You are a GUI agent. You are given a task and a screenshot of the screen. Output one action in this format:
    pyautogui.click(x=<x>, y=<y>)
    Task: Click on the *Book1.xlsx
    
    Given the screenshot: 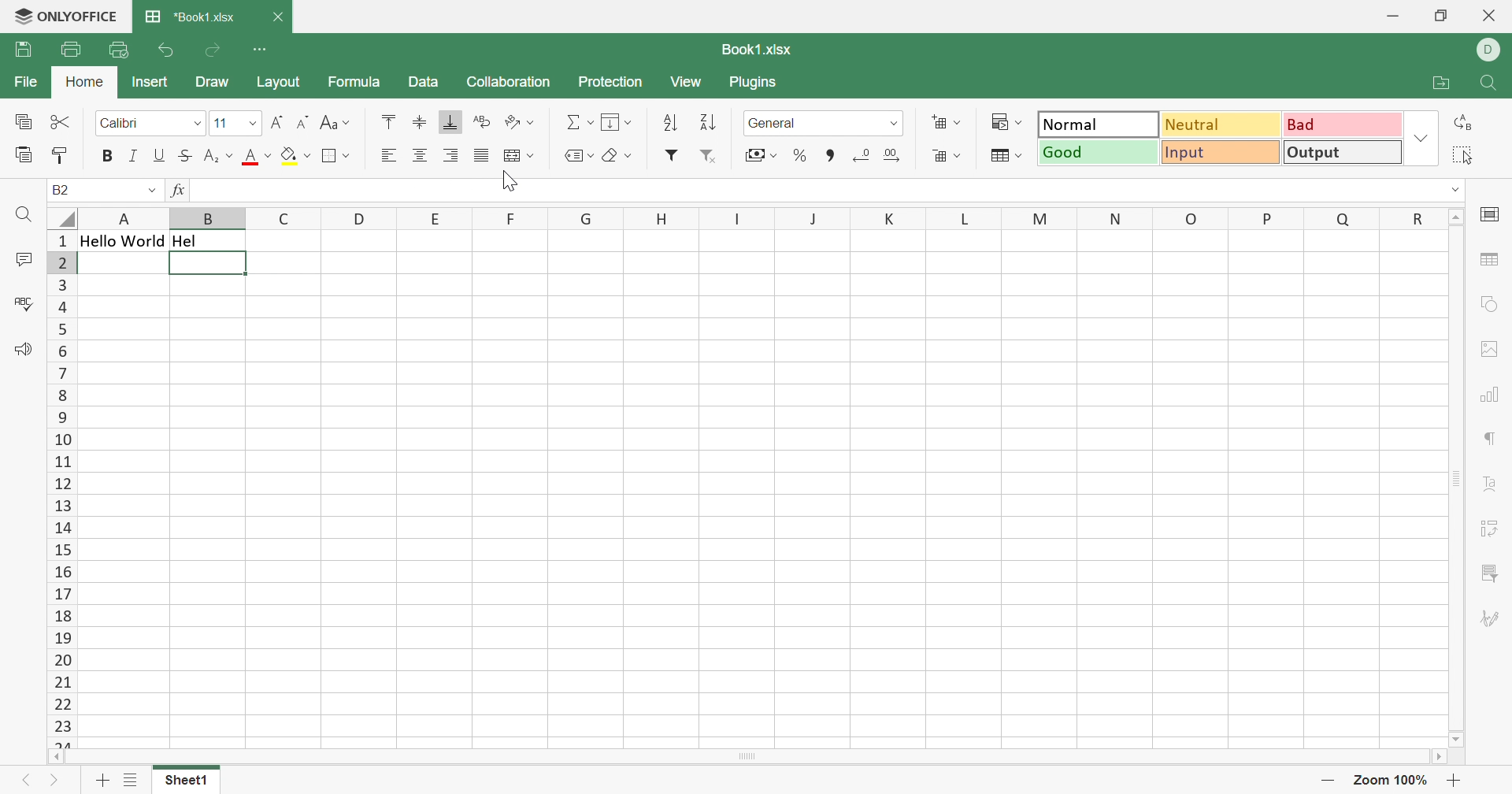 What is the action you would take?
    pyautogui.click(x=192, y=17)
    